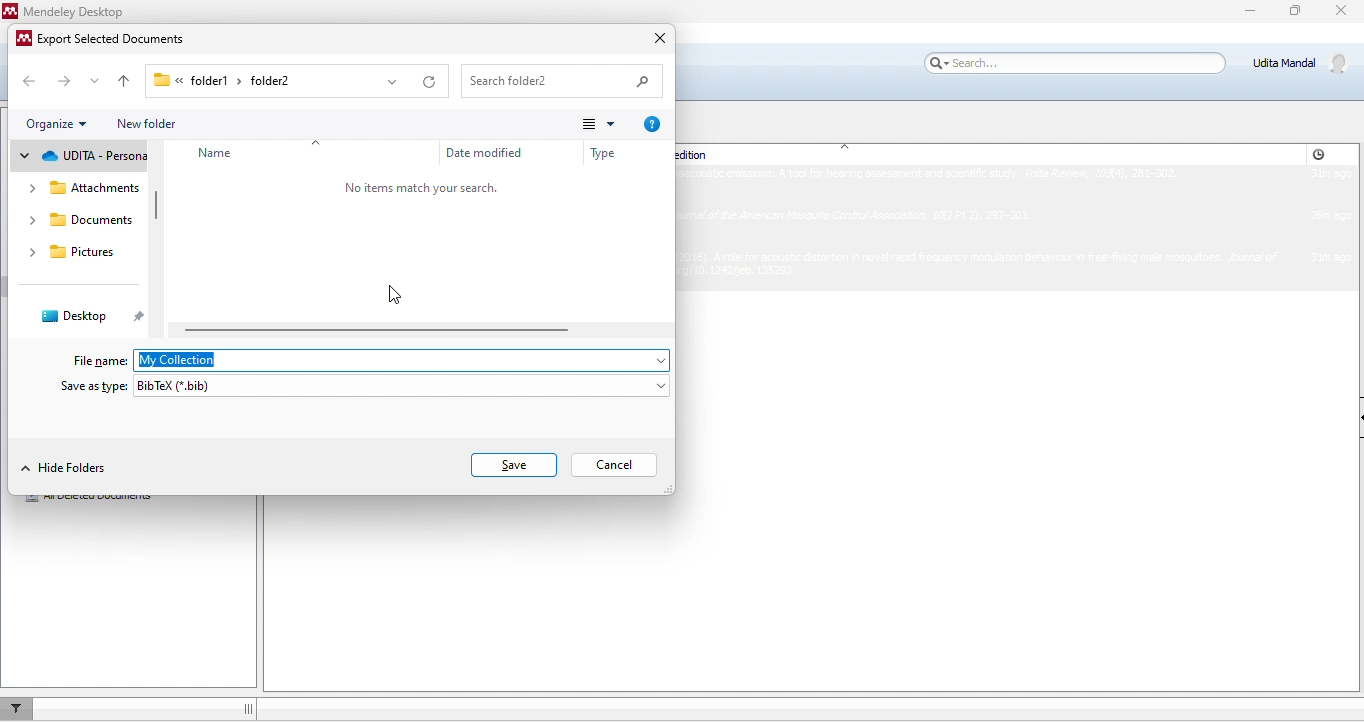  Describe the element at coordinates (621, 464) in the screenshot. I see `cancel` at that location.